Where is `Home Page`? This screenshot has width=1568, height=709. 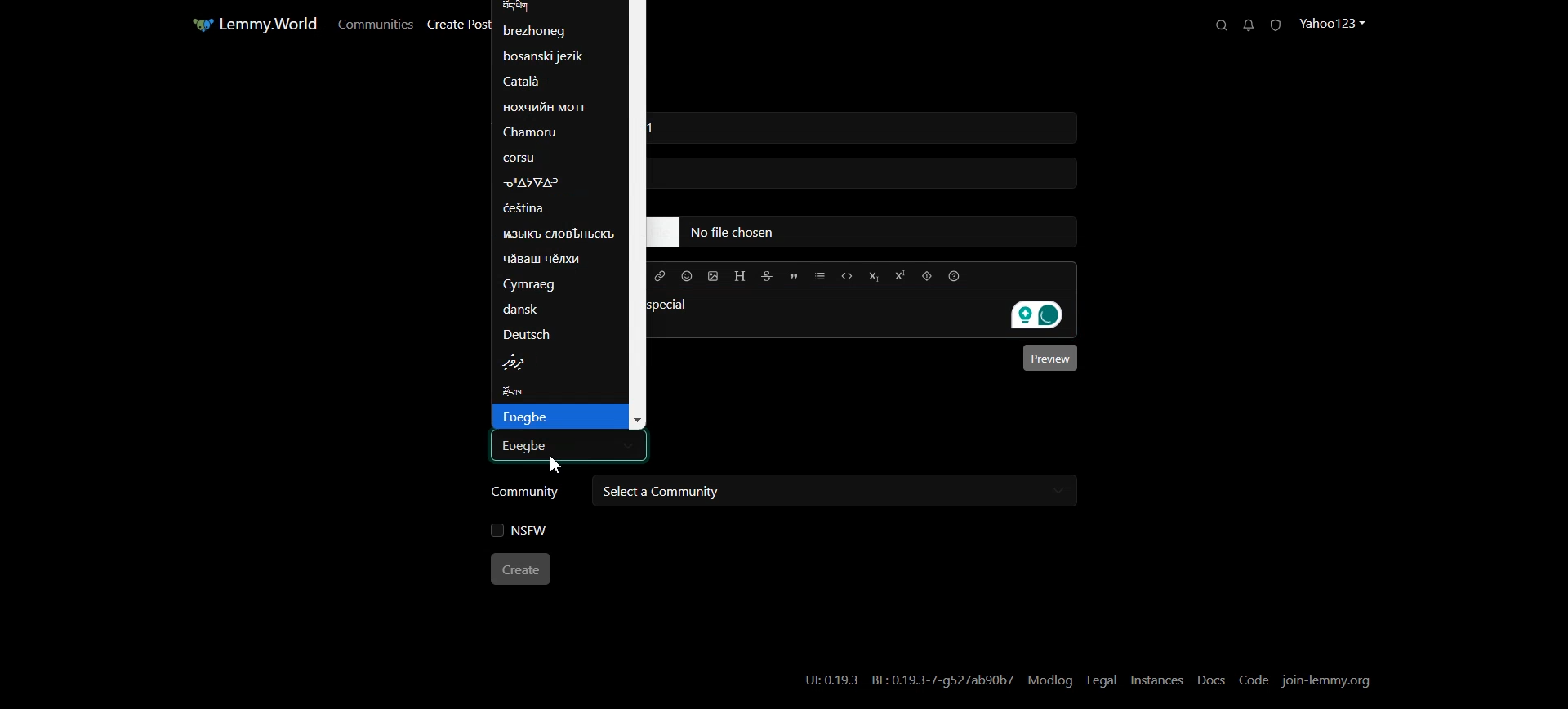
Home Page is located at coordinates (251, 25).